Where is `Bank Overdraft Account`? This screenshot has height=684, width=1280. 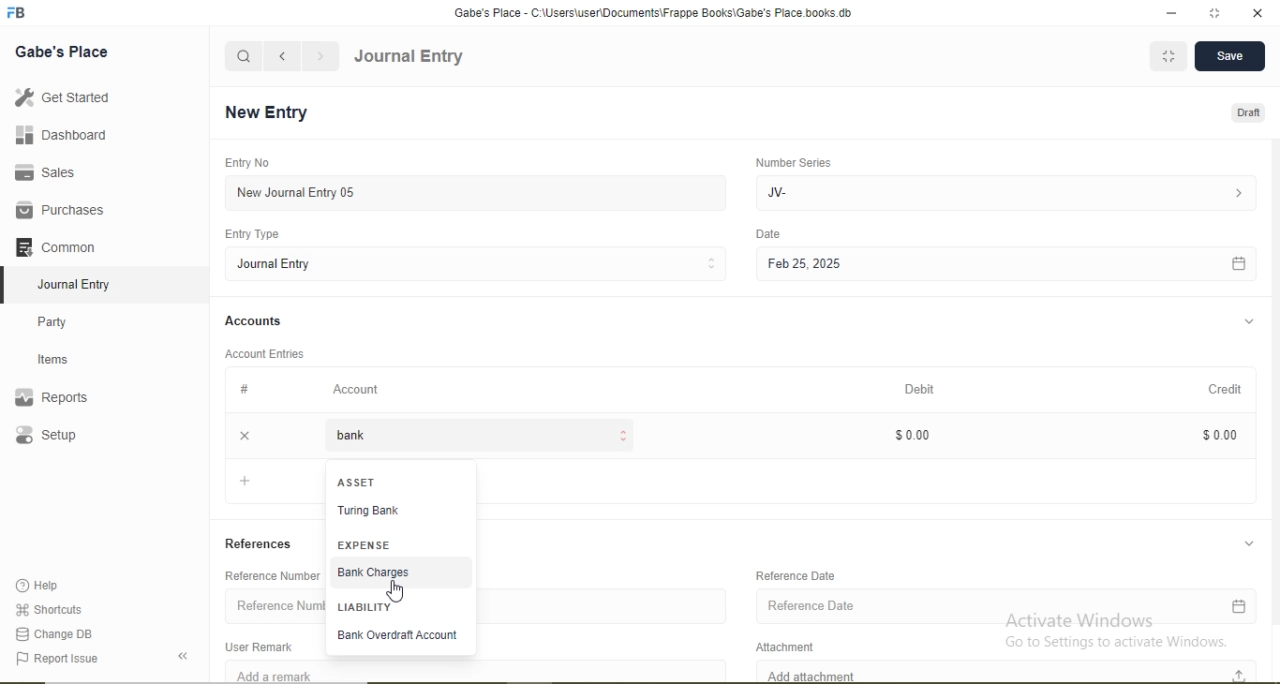 Bank Overdraft Account is located at coordinates (398, 639).